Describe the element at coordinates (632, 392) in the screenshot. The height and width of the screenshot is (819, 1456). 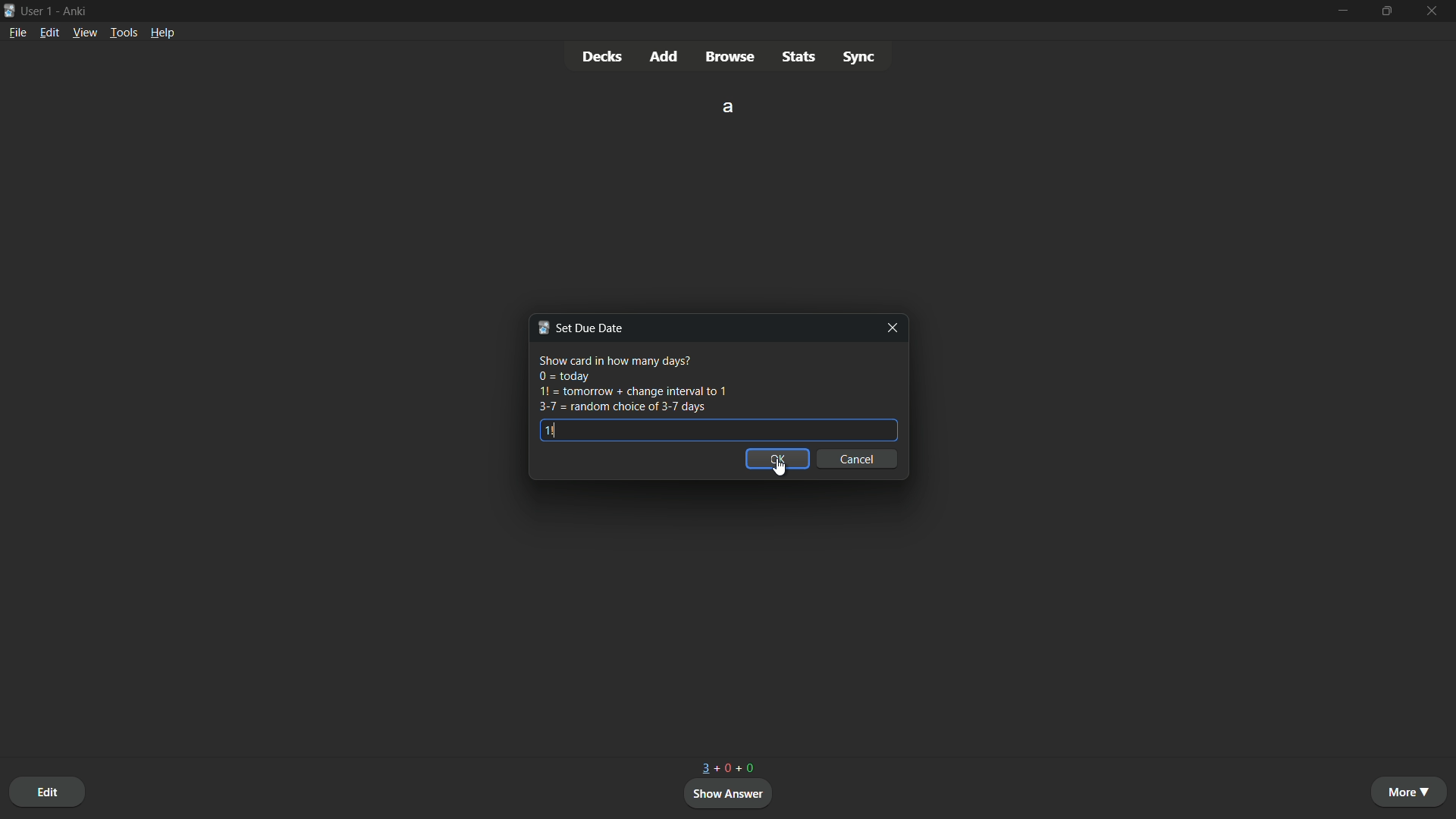
I see `1! = tomorrow + change interval to 1` at that location.